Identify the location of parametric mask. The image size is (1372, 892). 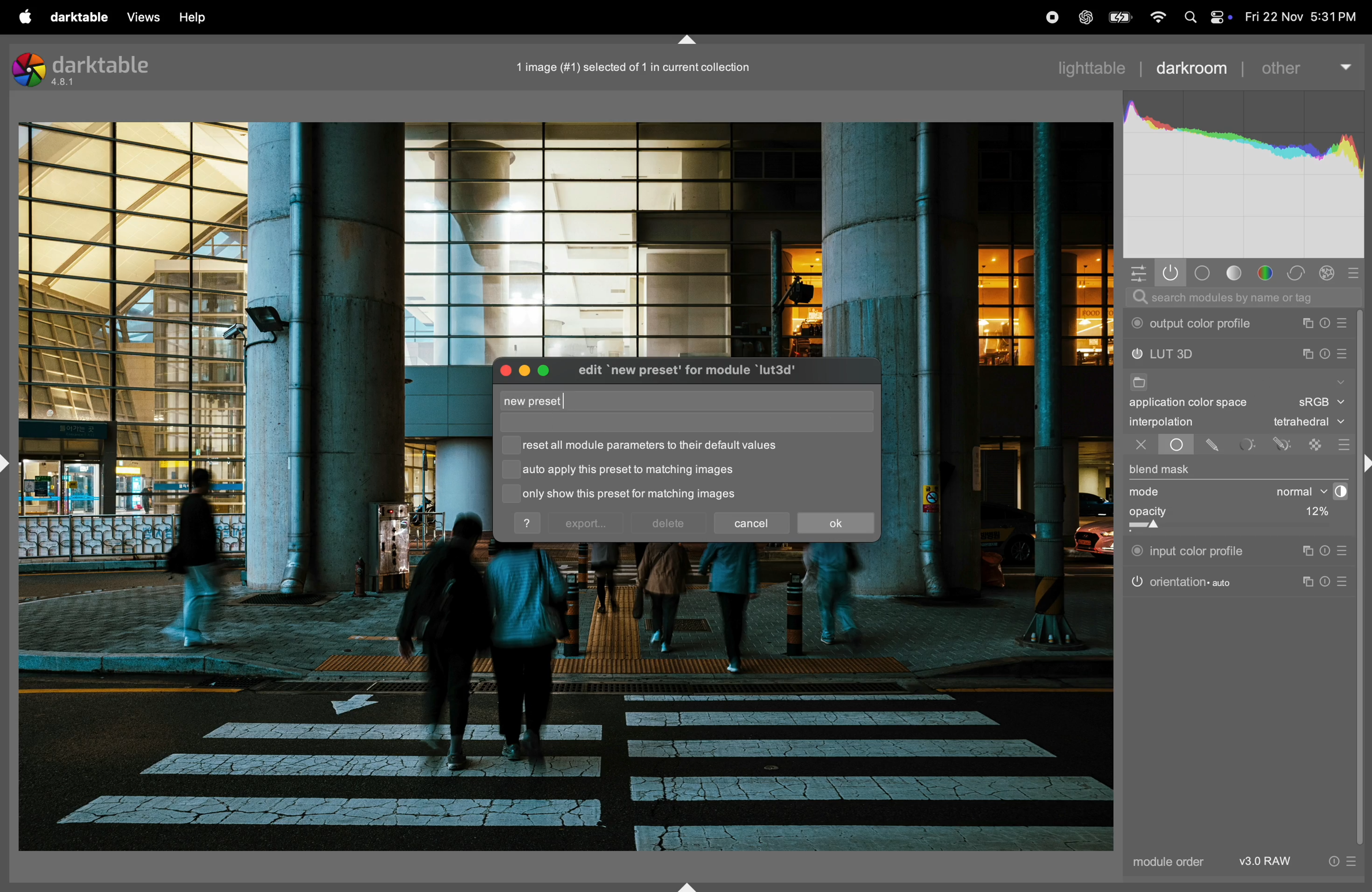
(1248, 444).